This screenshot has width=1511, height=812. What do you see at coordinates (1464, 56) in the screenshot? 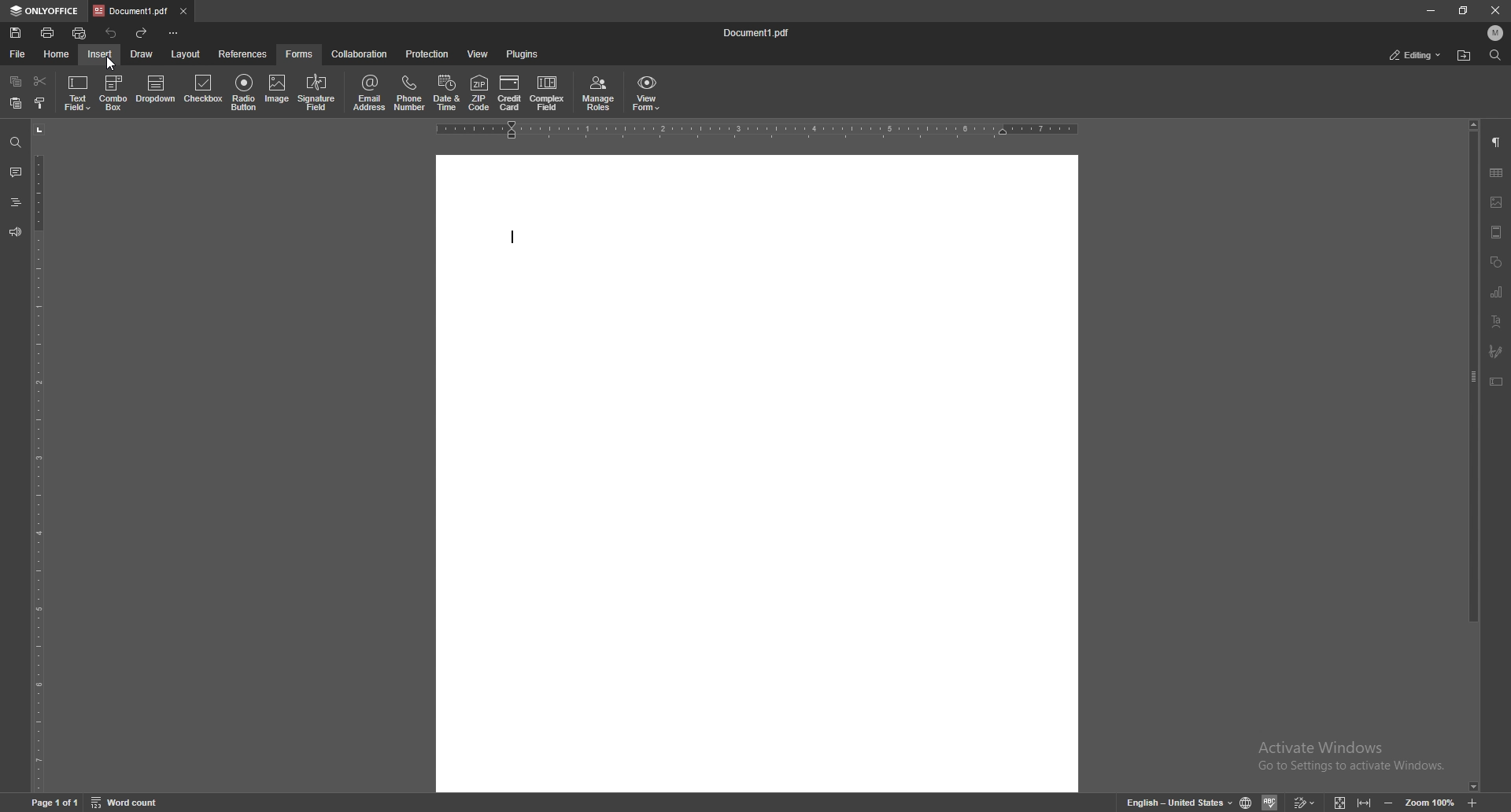
I see `find location` at bounding box center [1464, 56].